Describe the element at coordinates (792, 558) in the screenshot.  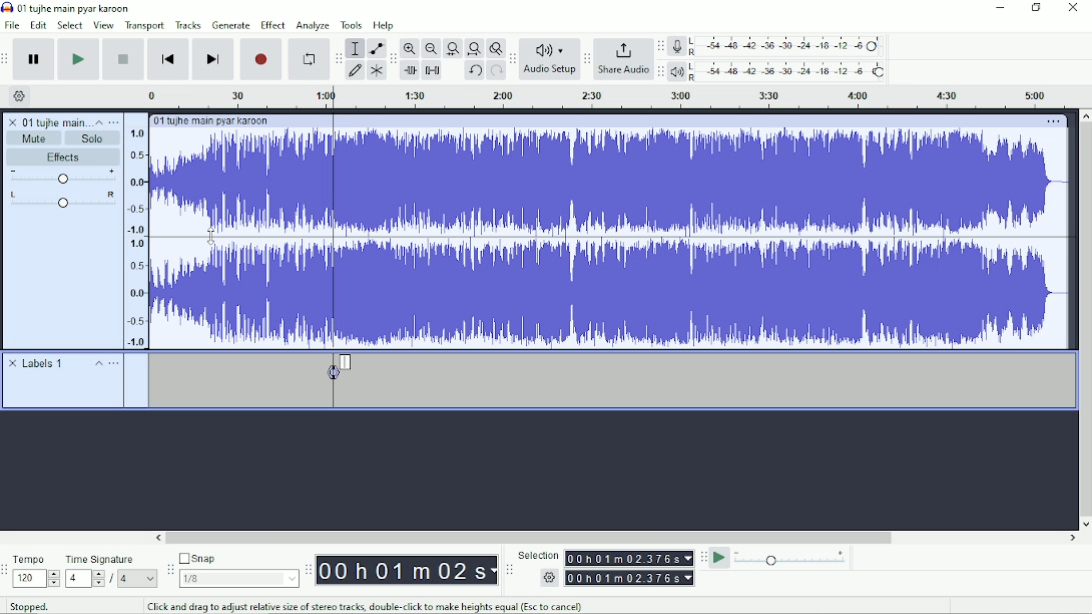
I see `Playback speed` at that location.